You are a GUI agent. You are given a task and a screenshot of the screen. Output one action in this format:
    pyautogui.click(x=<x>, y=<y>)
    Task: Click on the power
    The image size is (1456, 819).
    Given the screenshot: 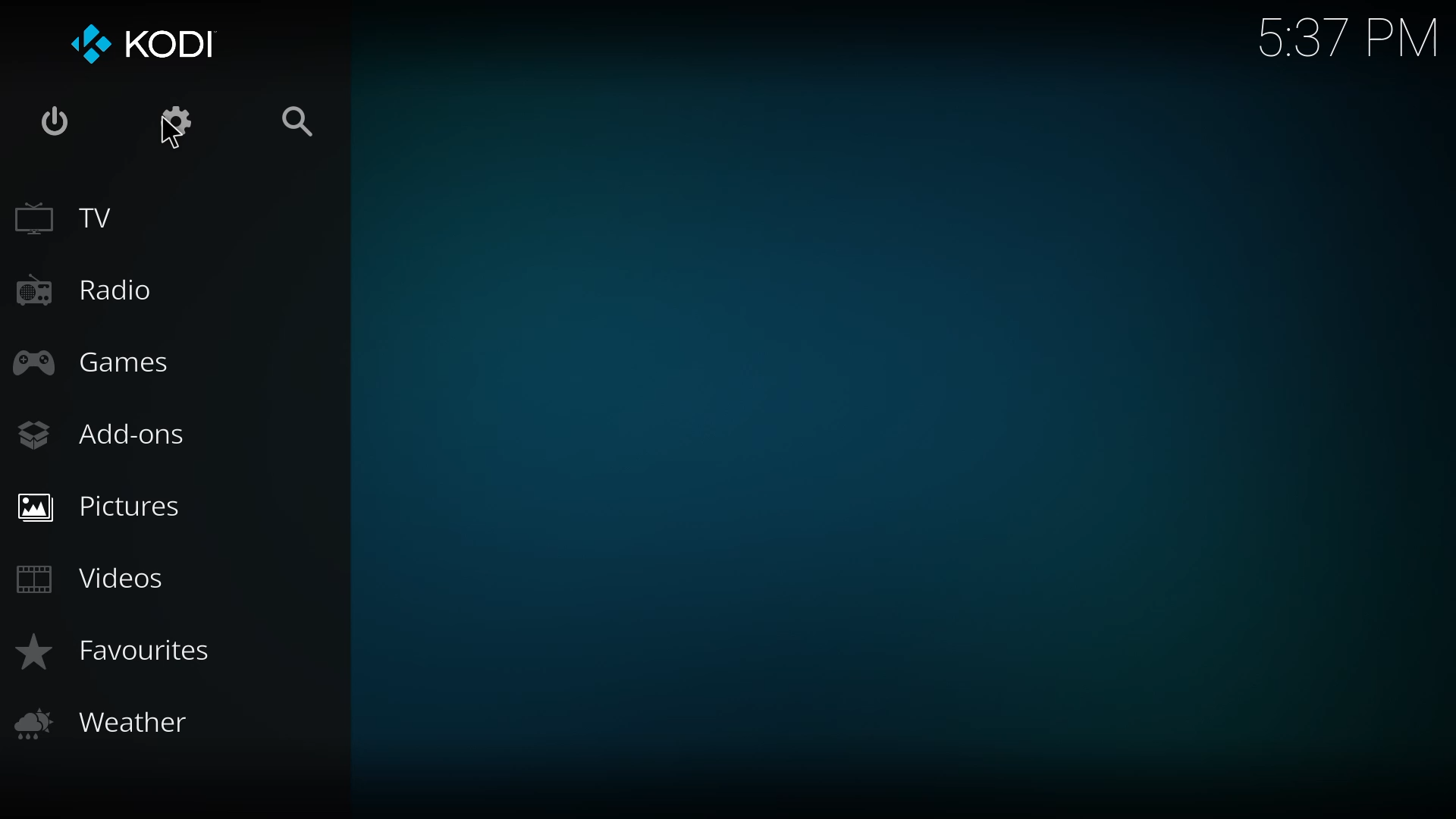 What is the action you would take?
    pyautogui.click(x=53, y=121)
    